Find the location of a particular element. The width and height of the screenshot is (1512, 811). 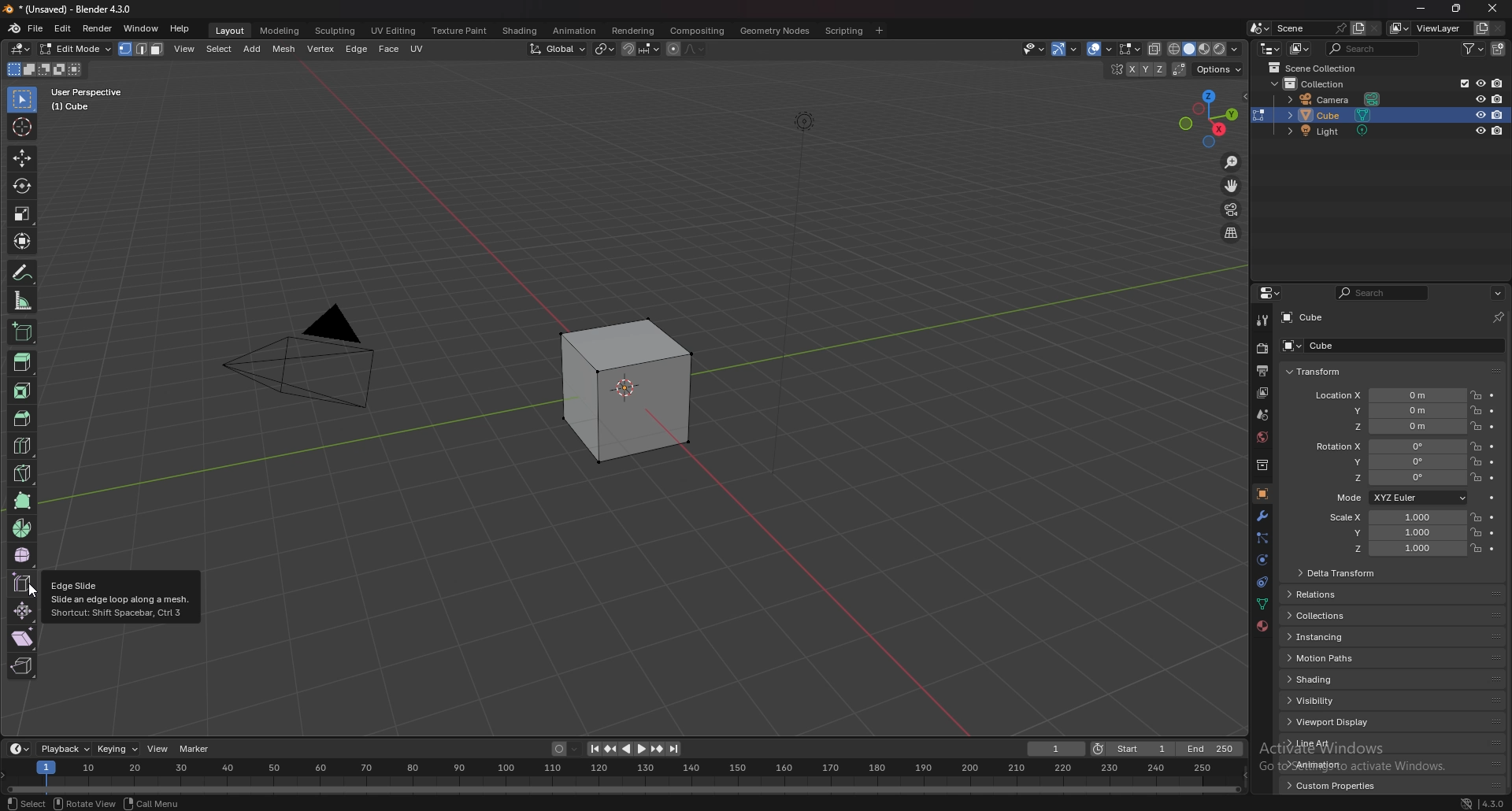

file is located at coordinates (36, 28).